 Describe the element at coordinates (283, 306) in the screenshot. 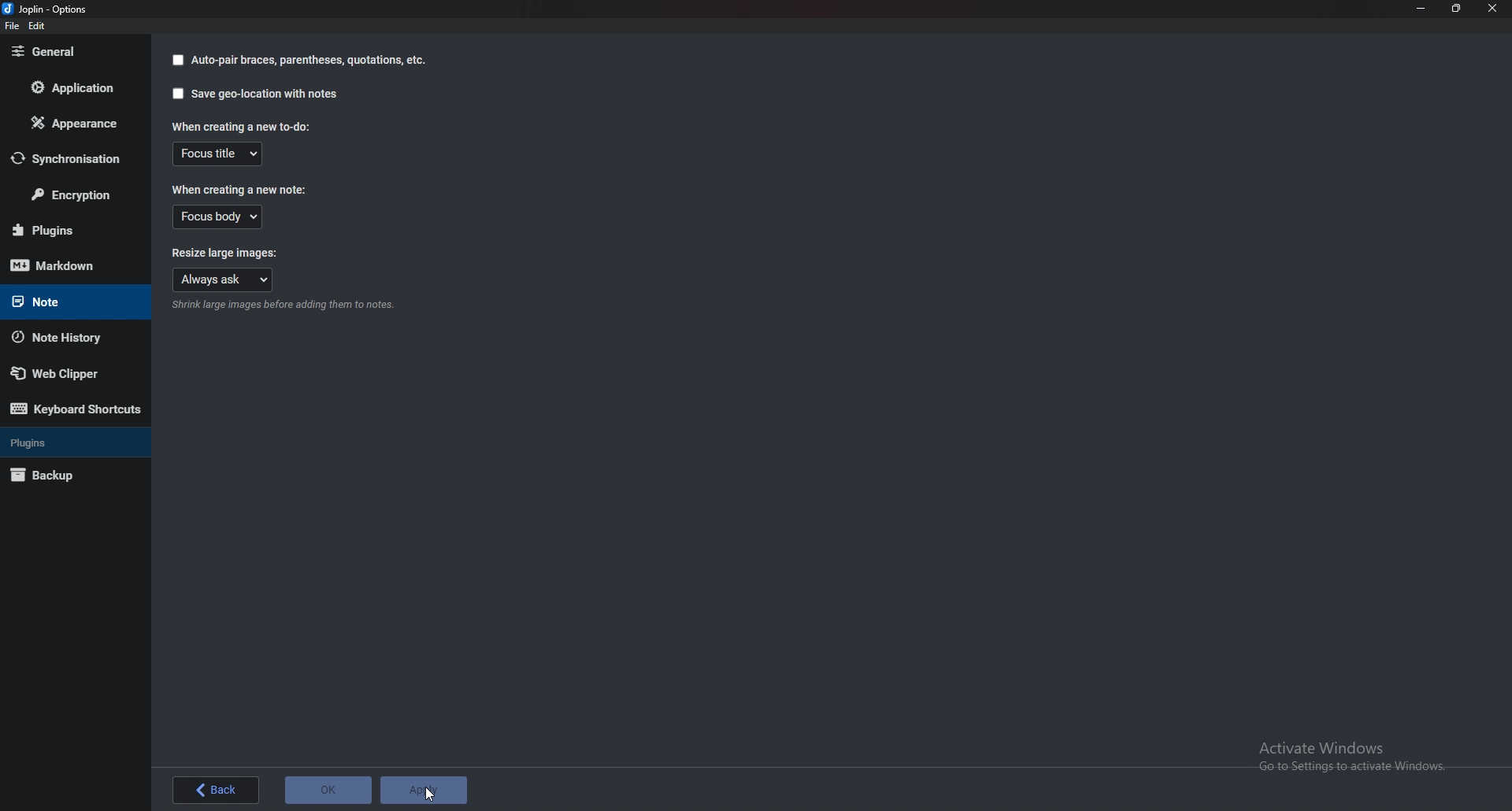

I see `Info` at that location.